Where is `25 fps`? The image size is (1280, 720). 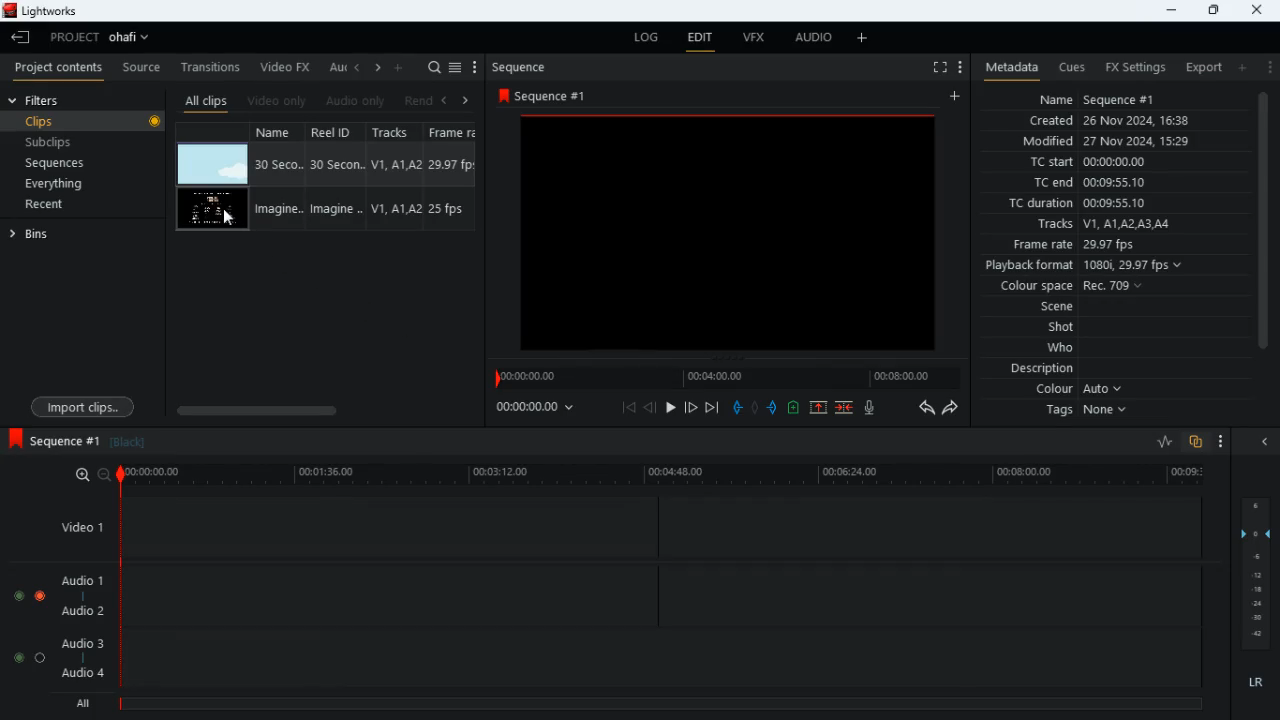
25 fps is located at coordinates (450, 210).